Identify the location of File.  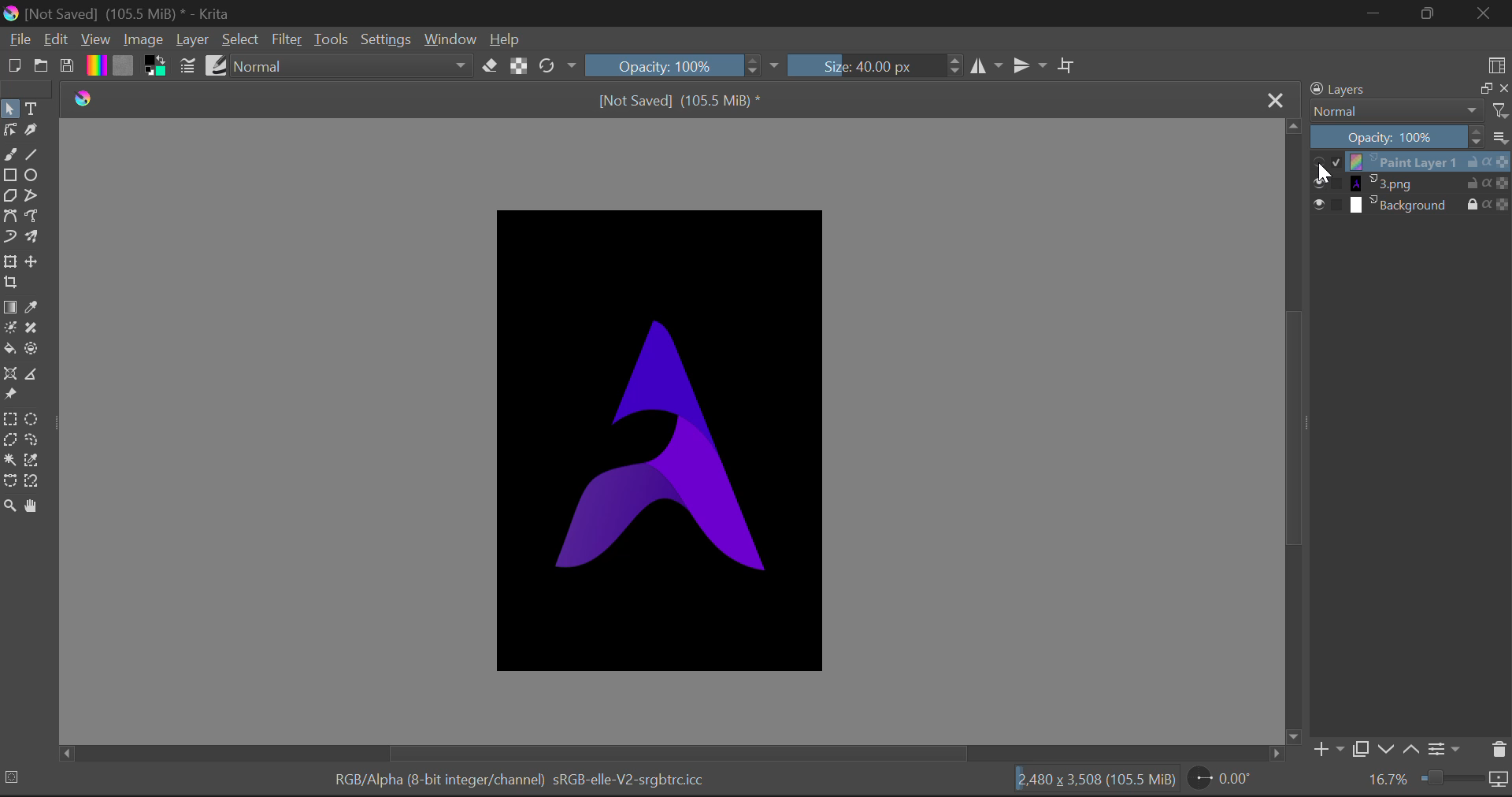
(20, 42).